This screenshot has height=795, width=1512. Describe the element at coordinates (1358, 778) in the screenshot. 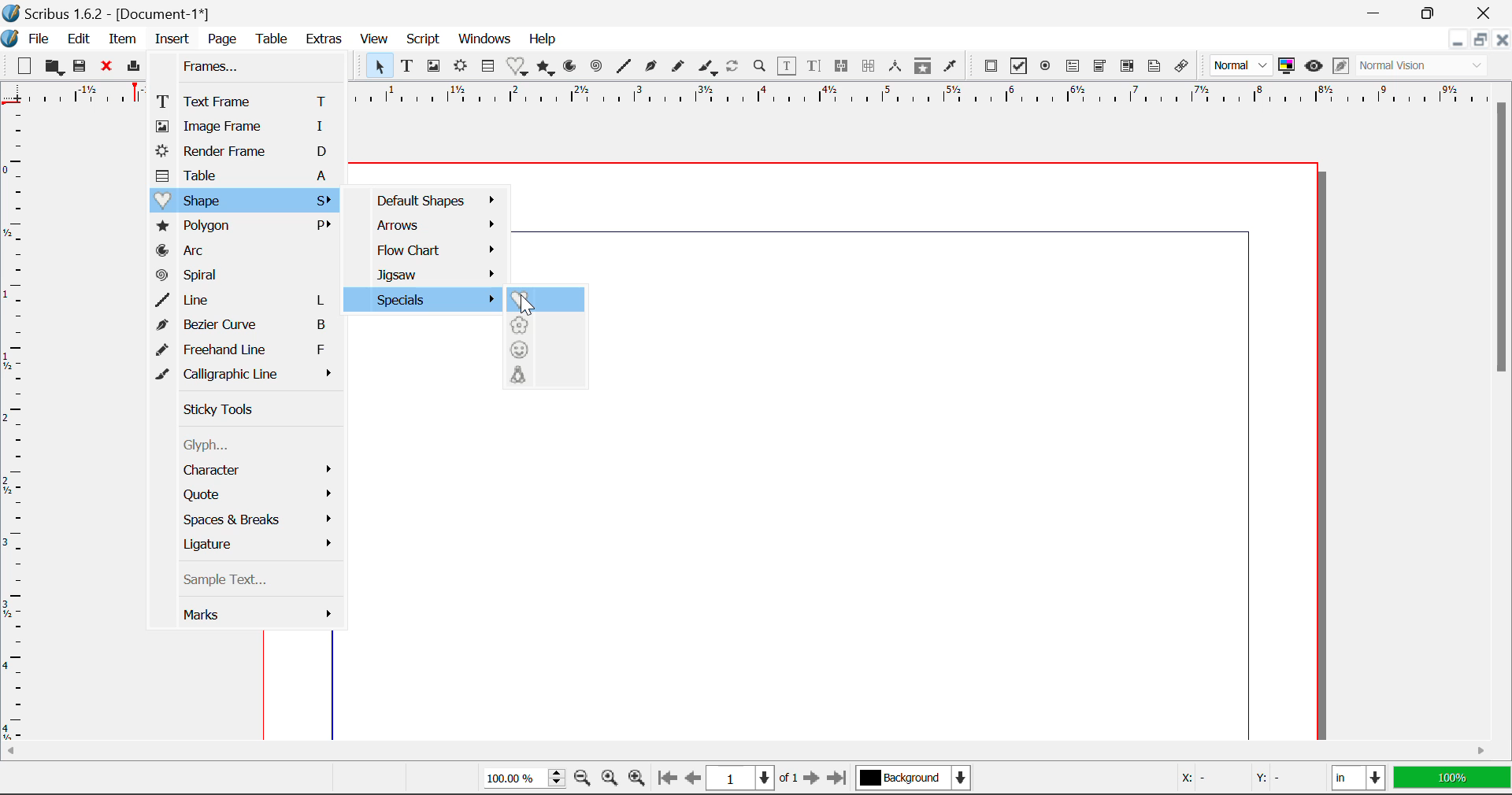

I see `in` at that location.